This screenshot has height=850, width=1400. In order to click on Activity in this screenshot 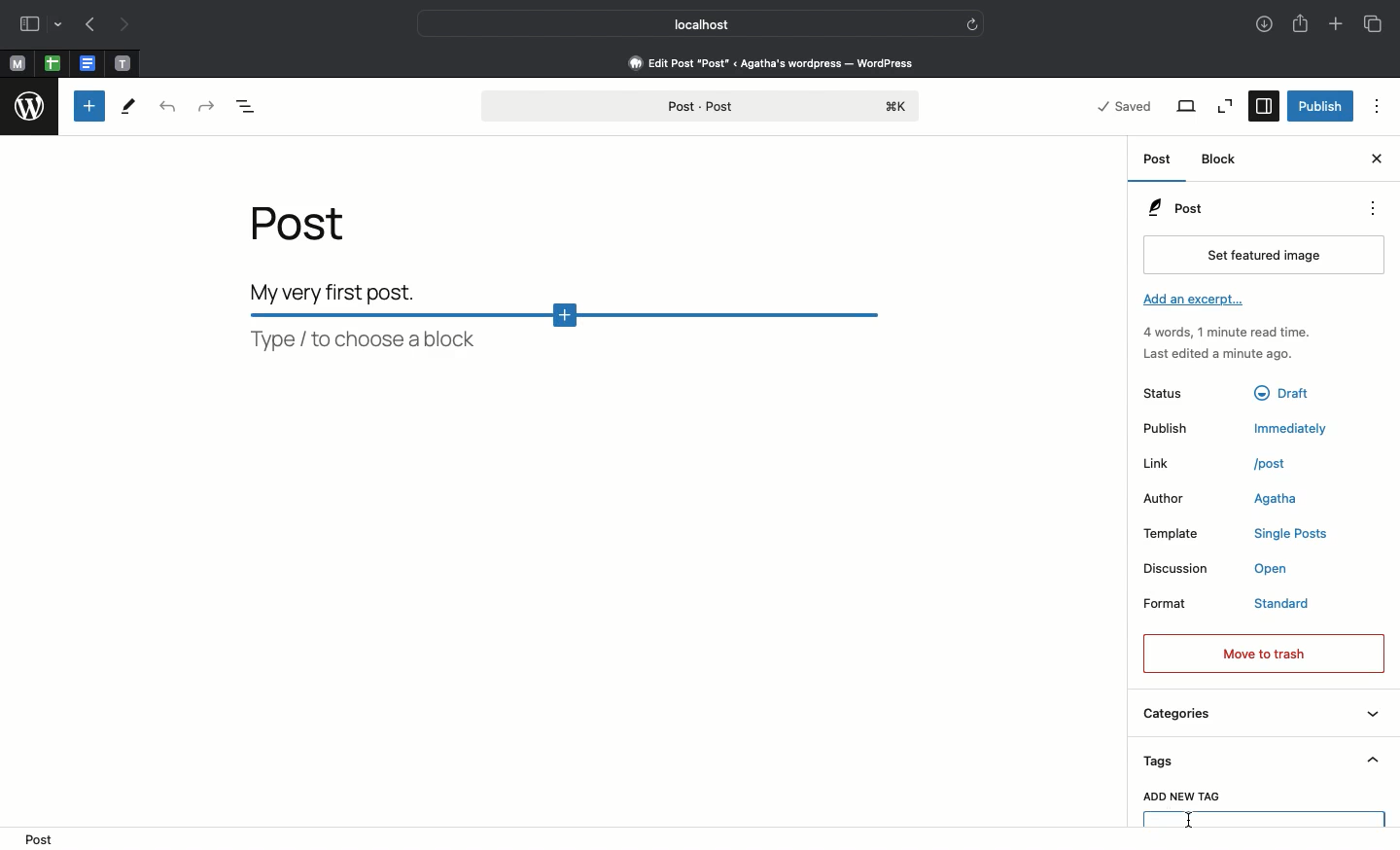, I will do `click(1239, 343)`.